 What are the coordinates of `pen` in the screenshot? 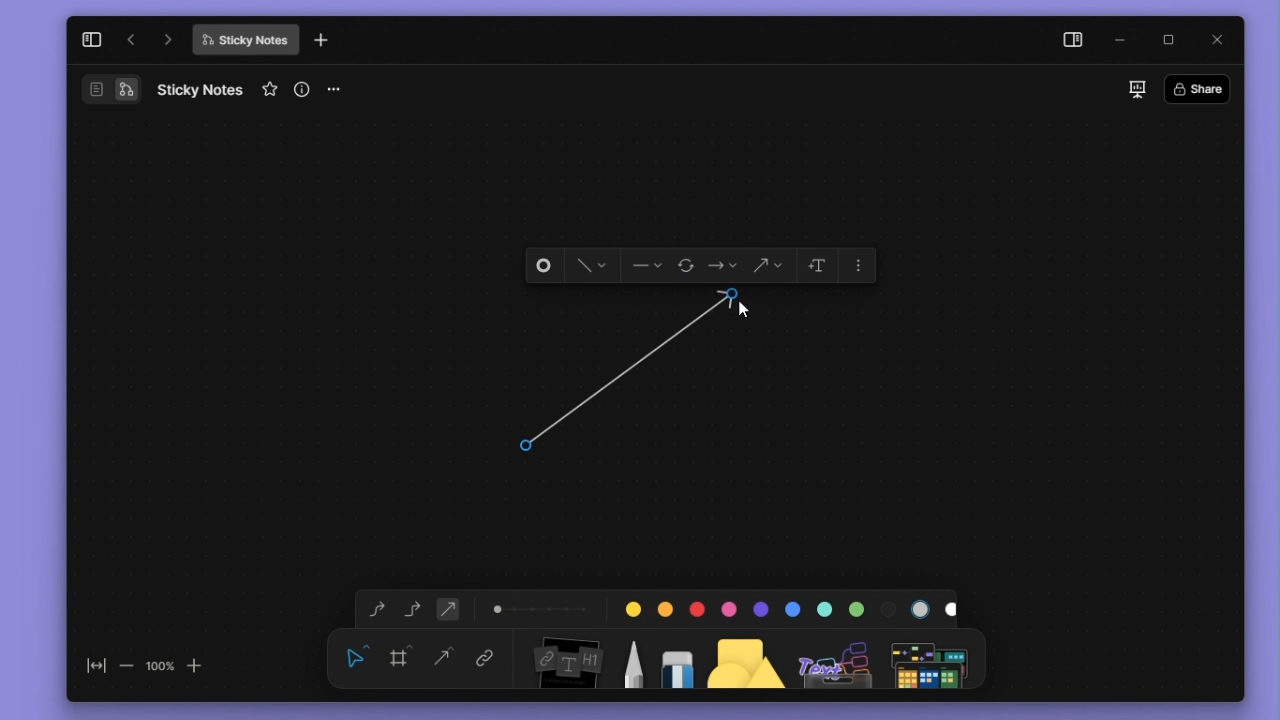 It's located at (632, 657).